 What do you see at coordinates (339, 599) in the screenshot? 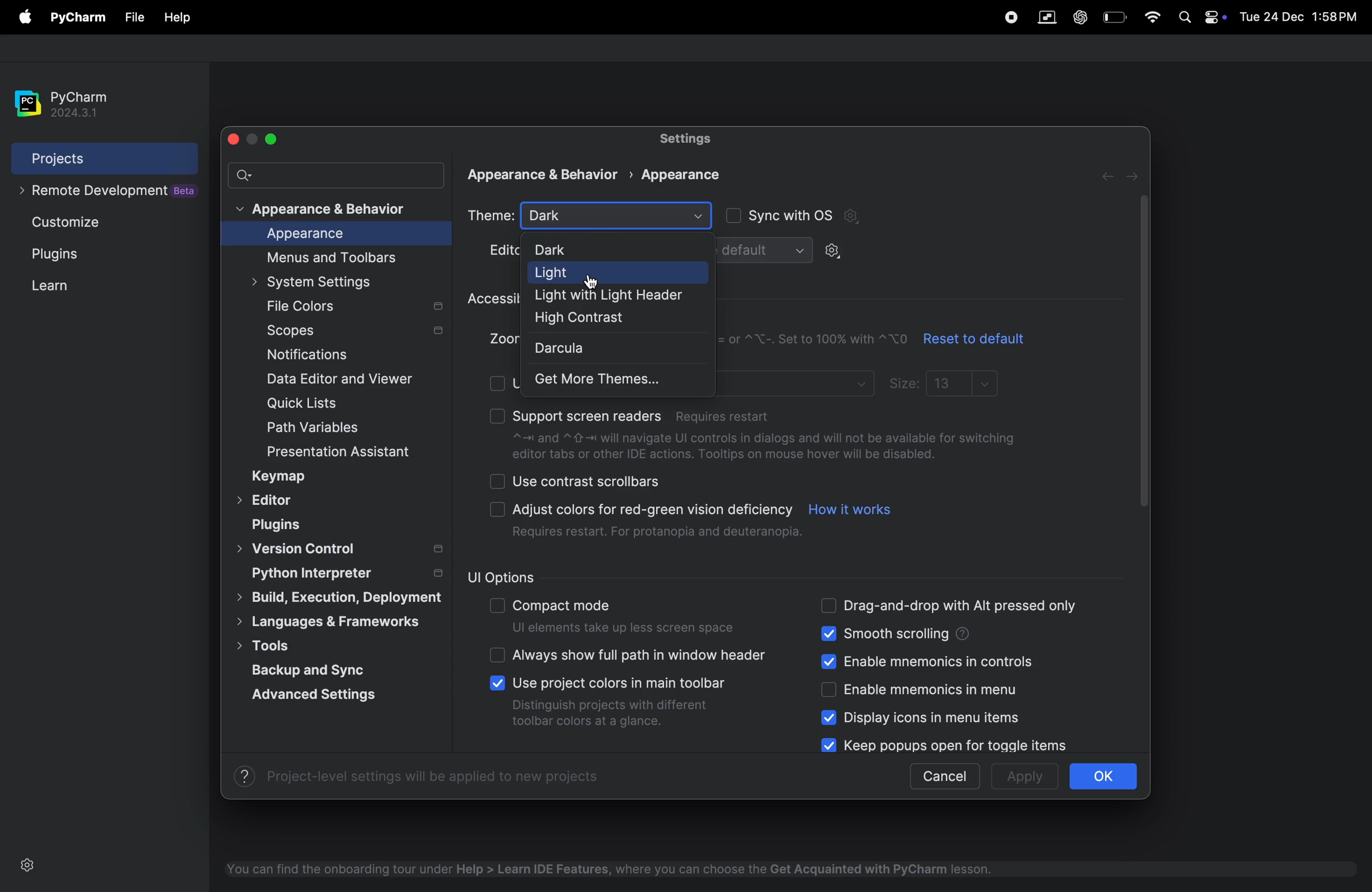
I see `build execution strategy` at bounding box center [339, 599].